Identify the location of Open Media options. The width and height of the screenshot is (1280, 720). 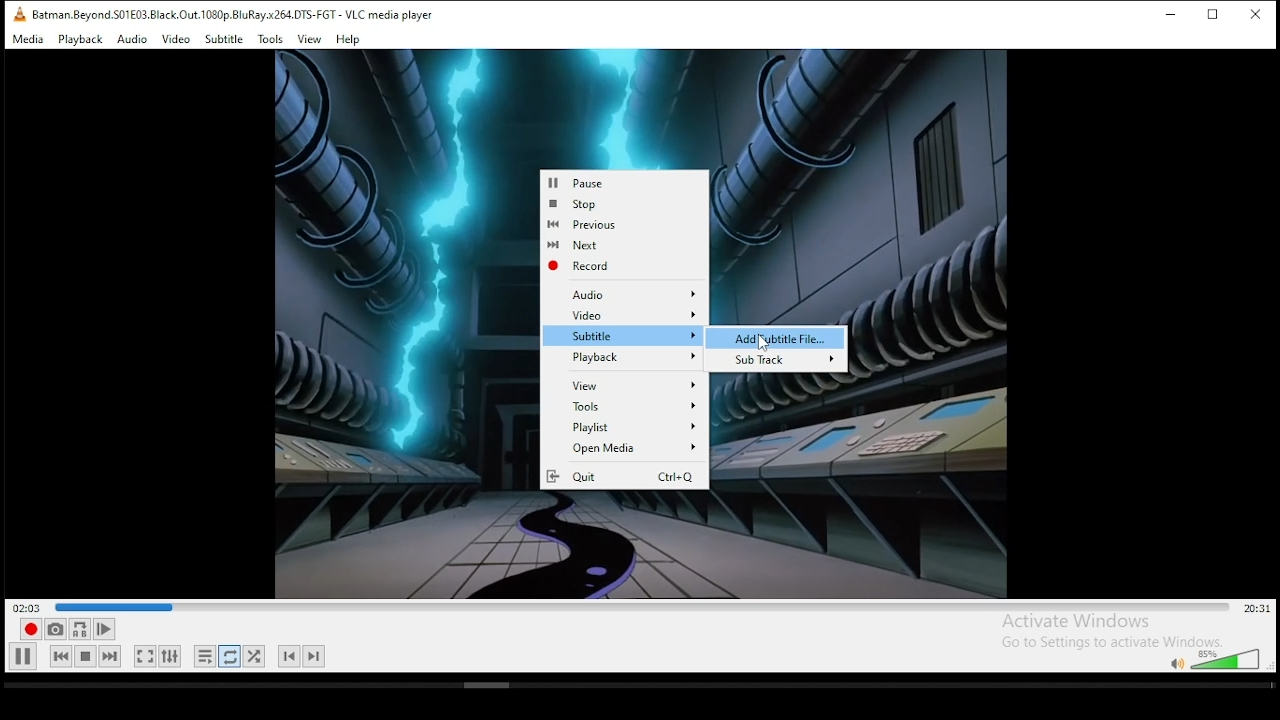
(625, 447).